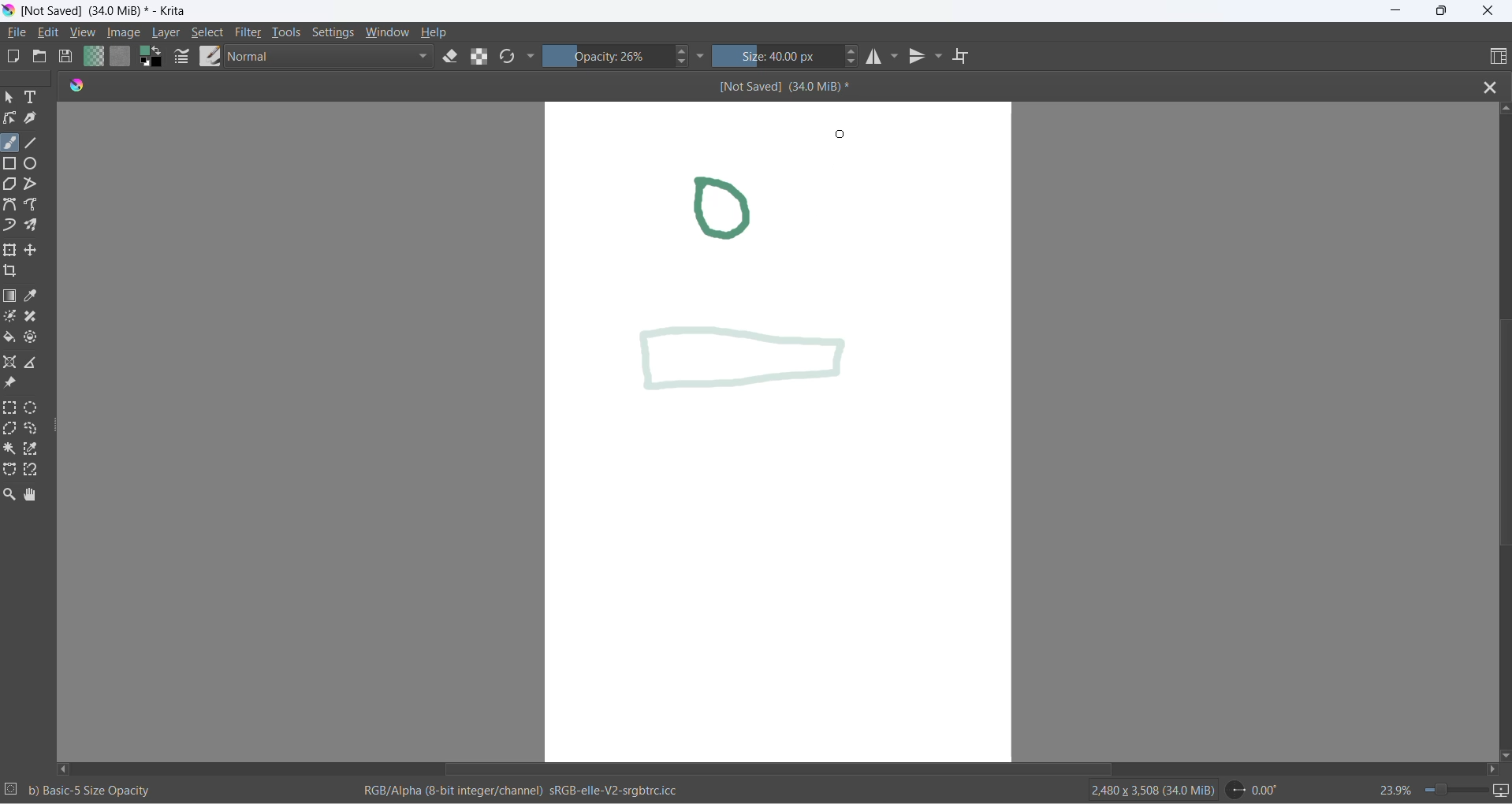 Image resolution: width=1512 pixels, height=804 pixels. I want to click on horizontal mirror tool, so click(875, 57).